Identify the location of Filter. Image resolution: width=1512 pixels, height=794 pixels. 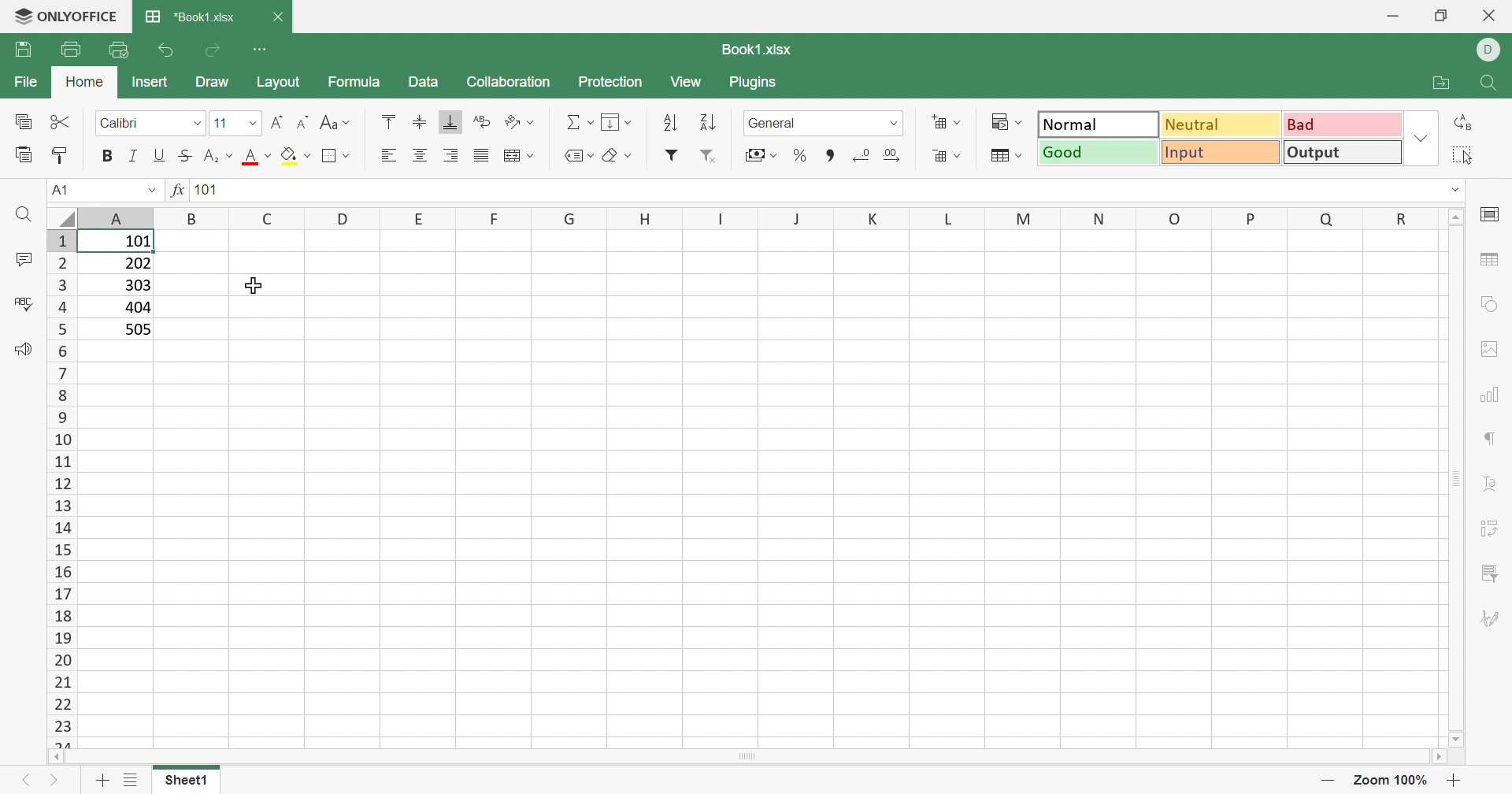
(673, 158).